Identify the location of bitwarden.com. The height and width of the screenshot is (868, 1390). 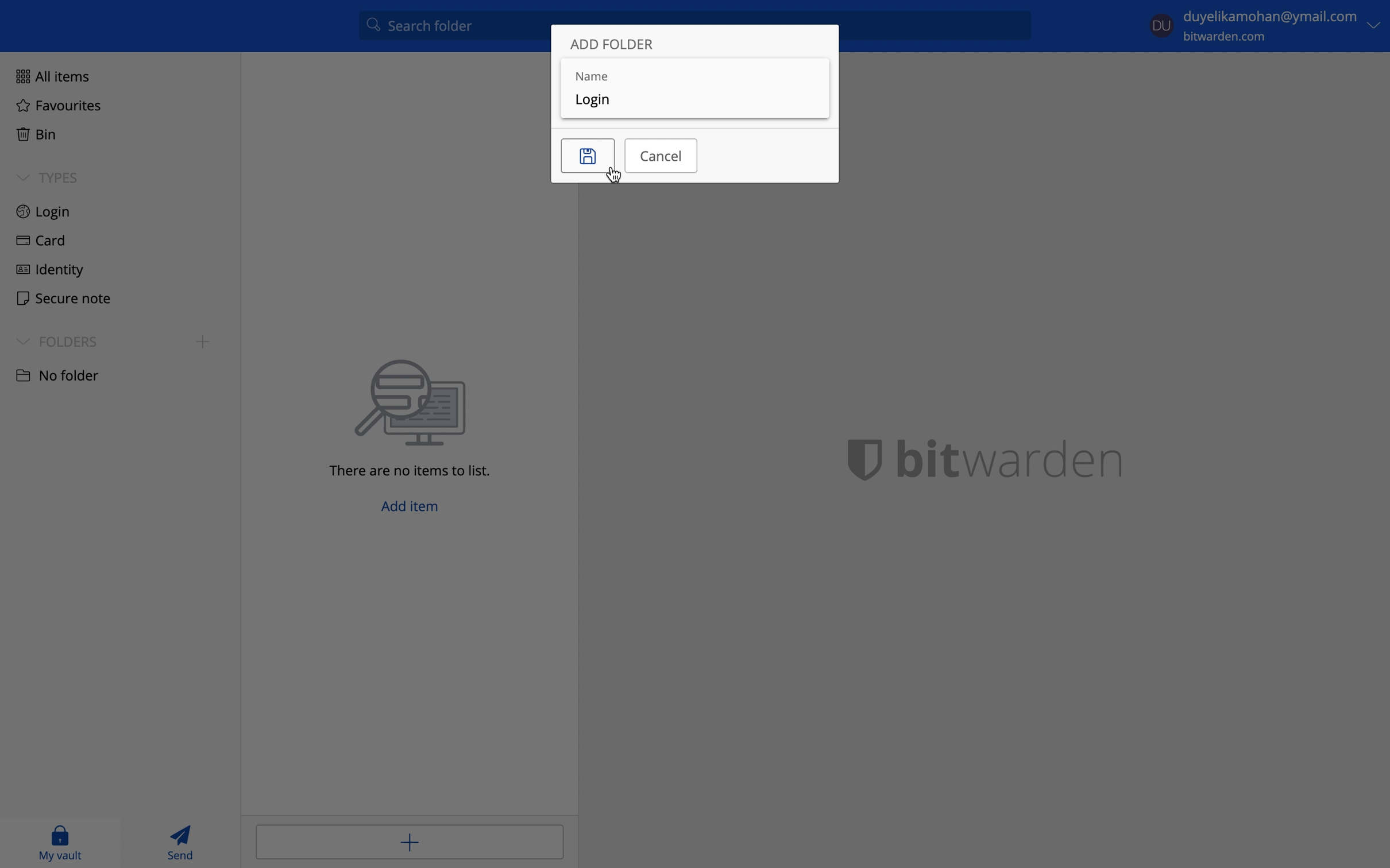
(1230, 37).